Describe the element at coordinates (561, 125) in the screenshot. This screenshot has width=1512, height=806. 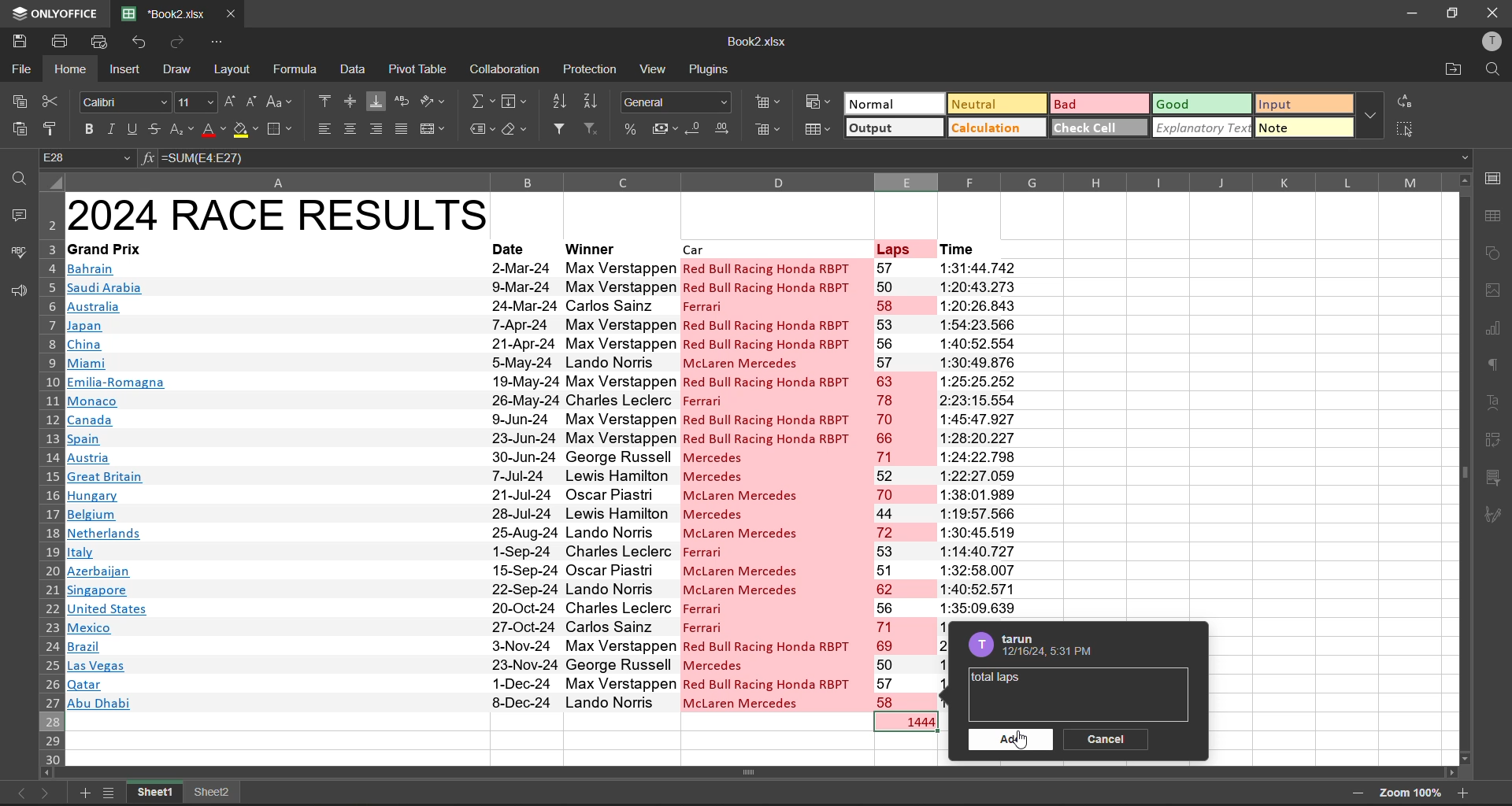
I see `filter` at that location.